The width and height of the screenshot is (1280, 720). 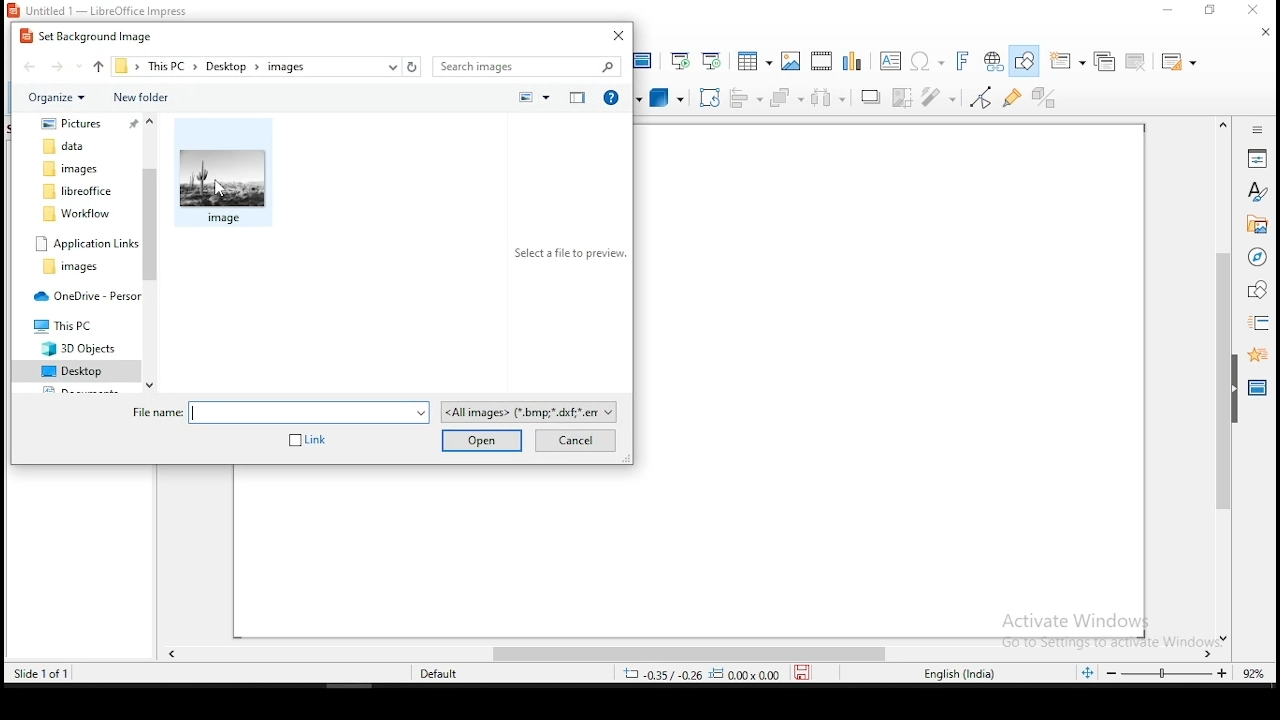 What do you see at coordinates (1259, 226) in the screenshot?
I see `gallery` at bounding box center [1259, 226].